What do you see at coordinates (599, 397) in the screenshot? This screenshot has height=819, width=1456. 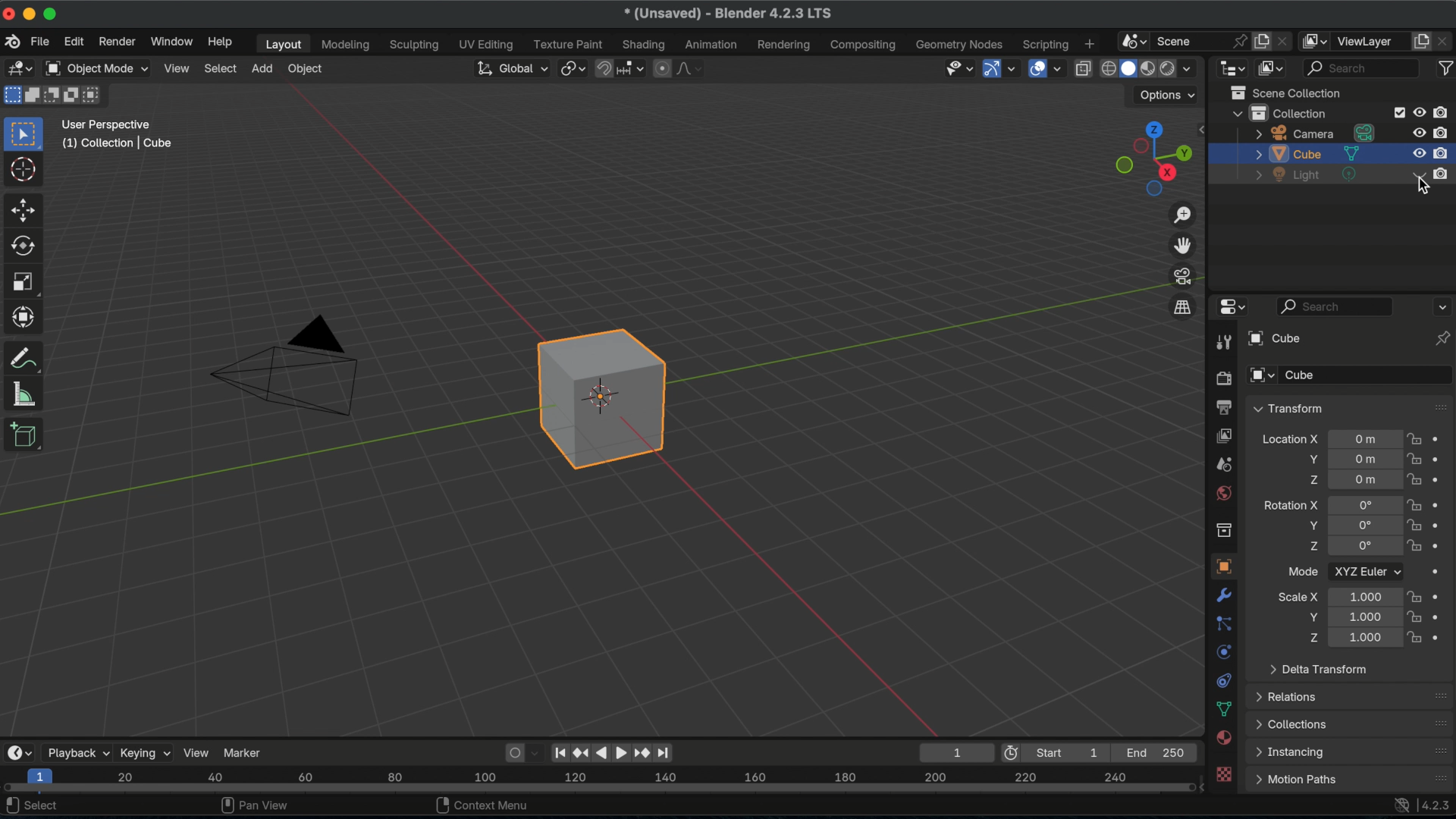 I see `default cube` at bounding box center [599, 397].